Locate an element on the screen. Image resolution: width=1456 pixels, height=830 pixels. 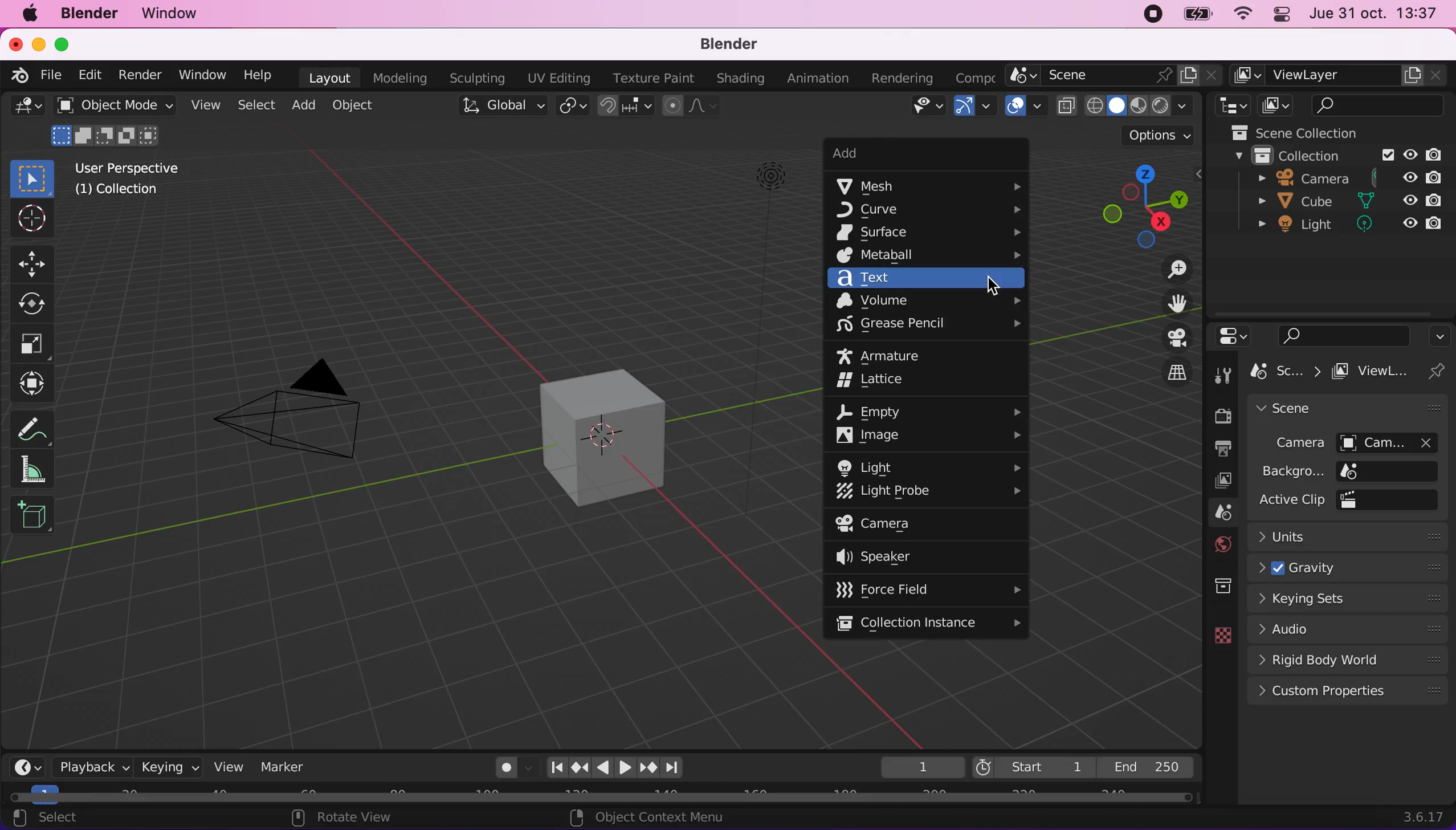
scene collection is located at coordinates (1335, 132).